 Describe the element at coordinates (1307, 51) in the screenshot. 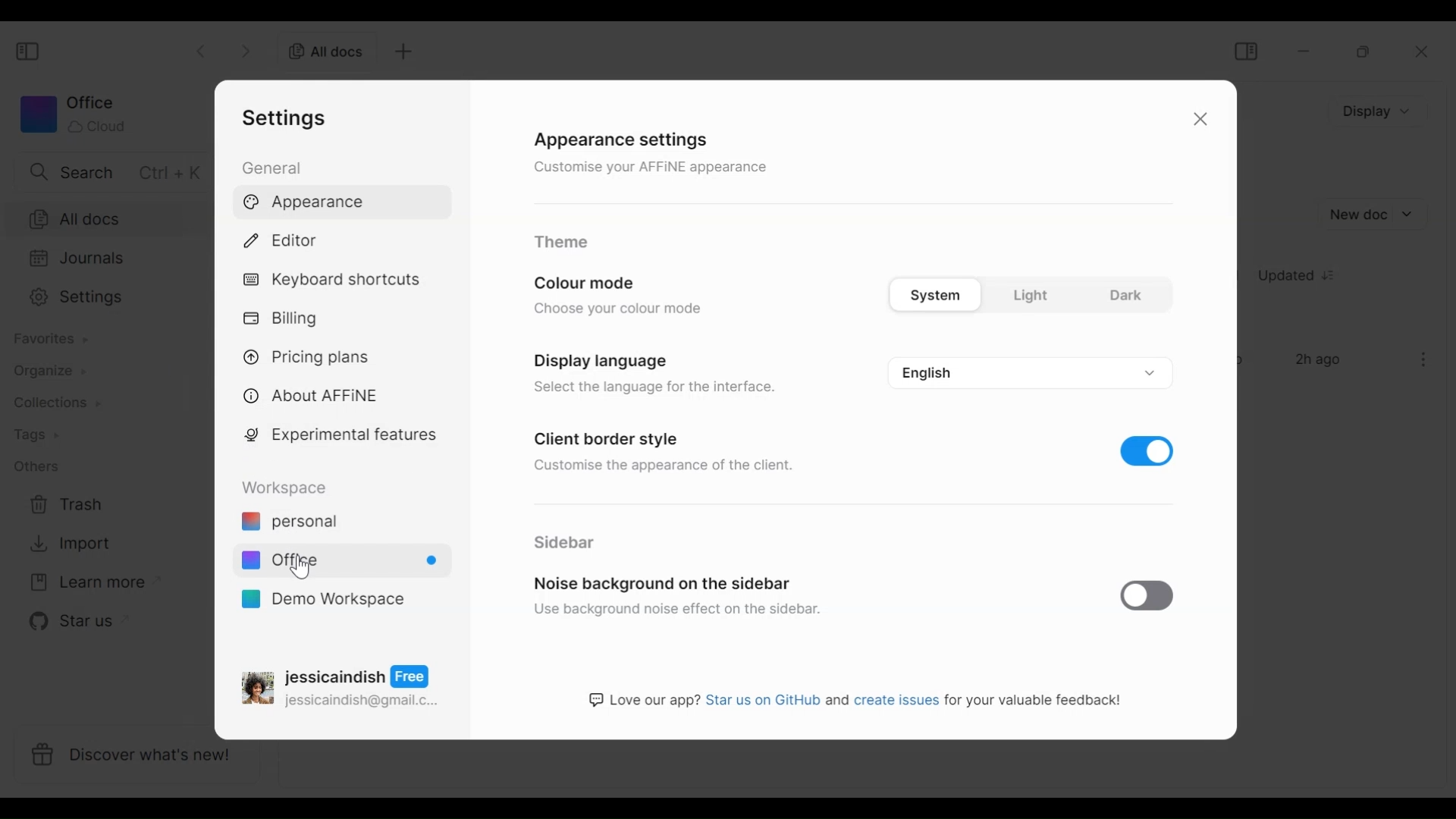

I see `minimize` at that location.